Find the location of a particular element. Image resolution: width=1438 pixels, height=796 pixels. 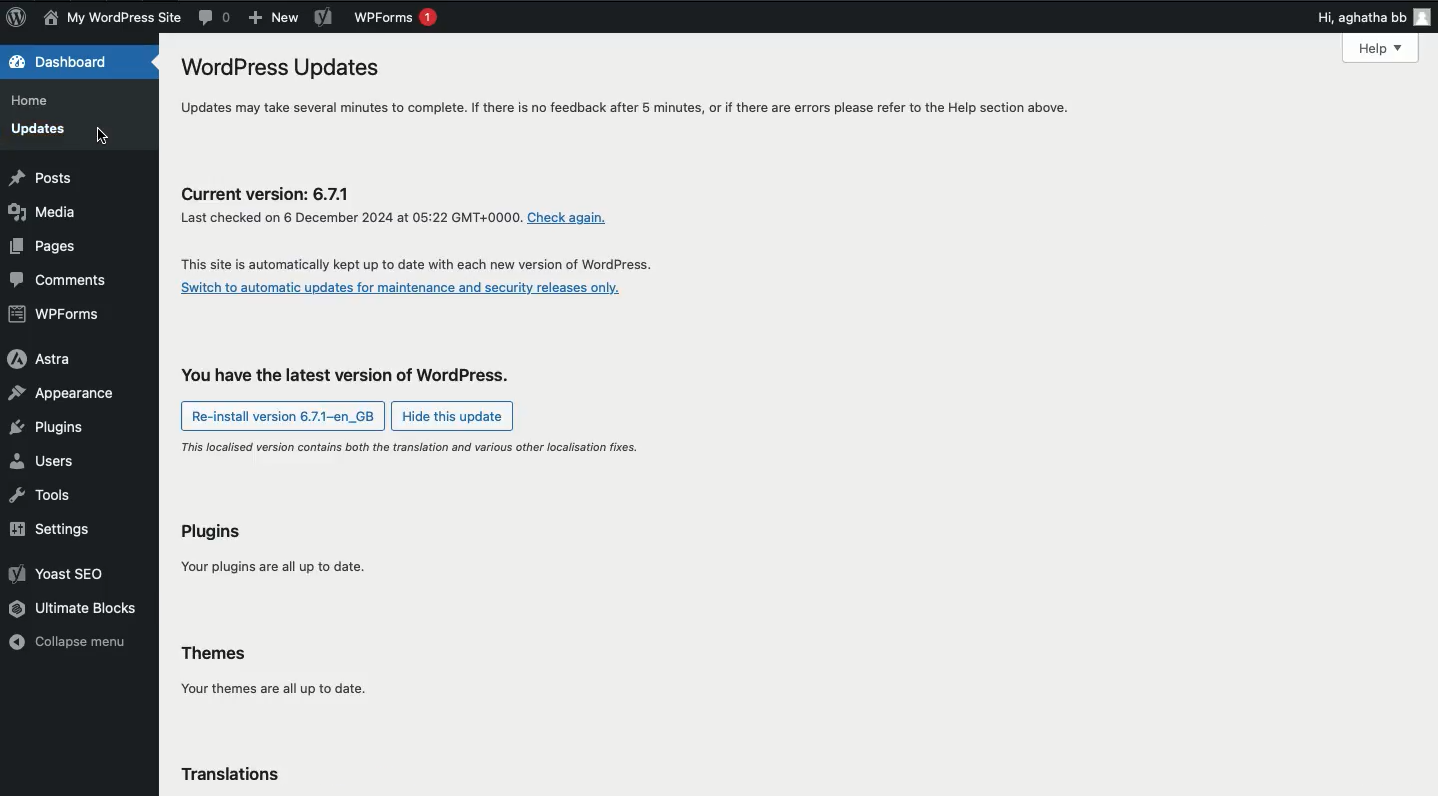

Media is located at coordinates (42, 211).